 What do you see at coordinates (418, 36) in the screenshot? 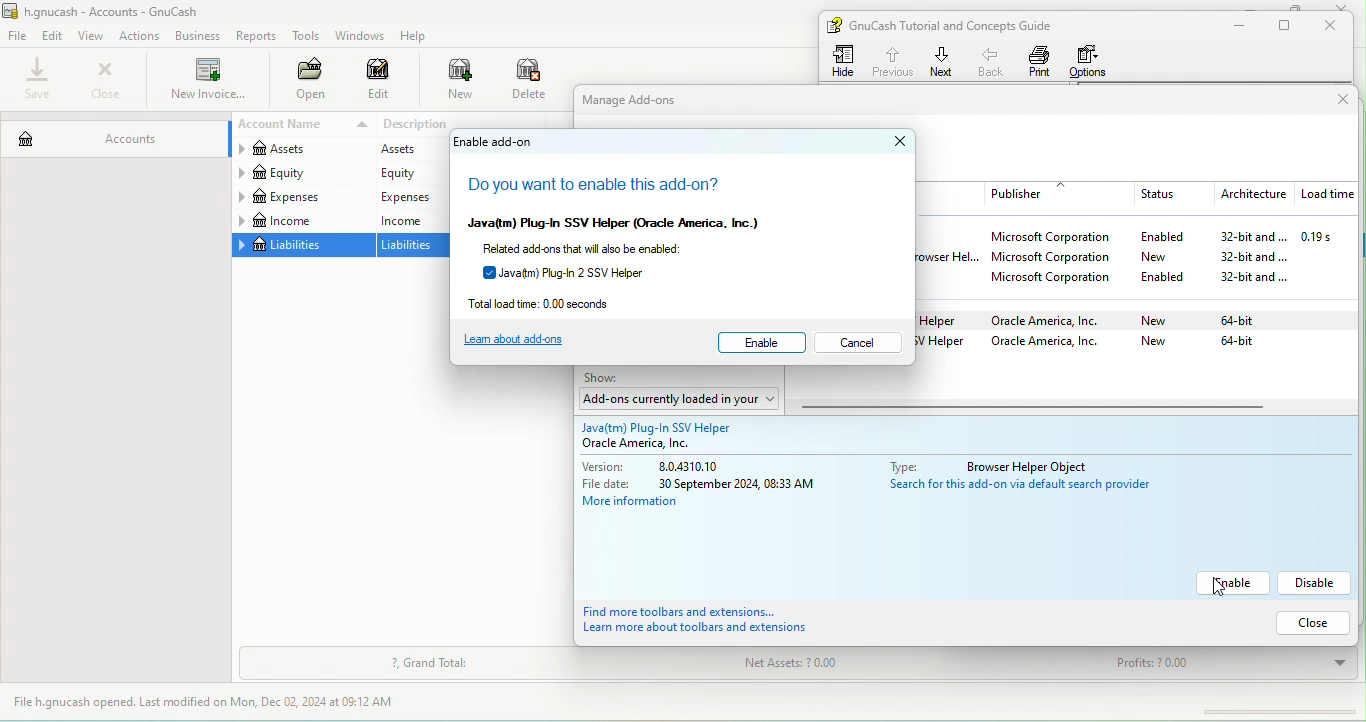
I see `help` at bounding box center [418, 36].